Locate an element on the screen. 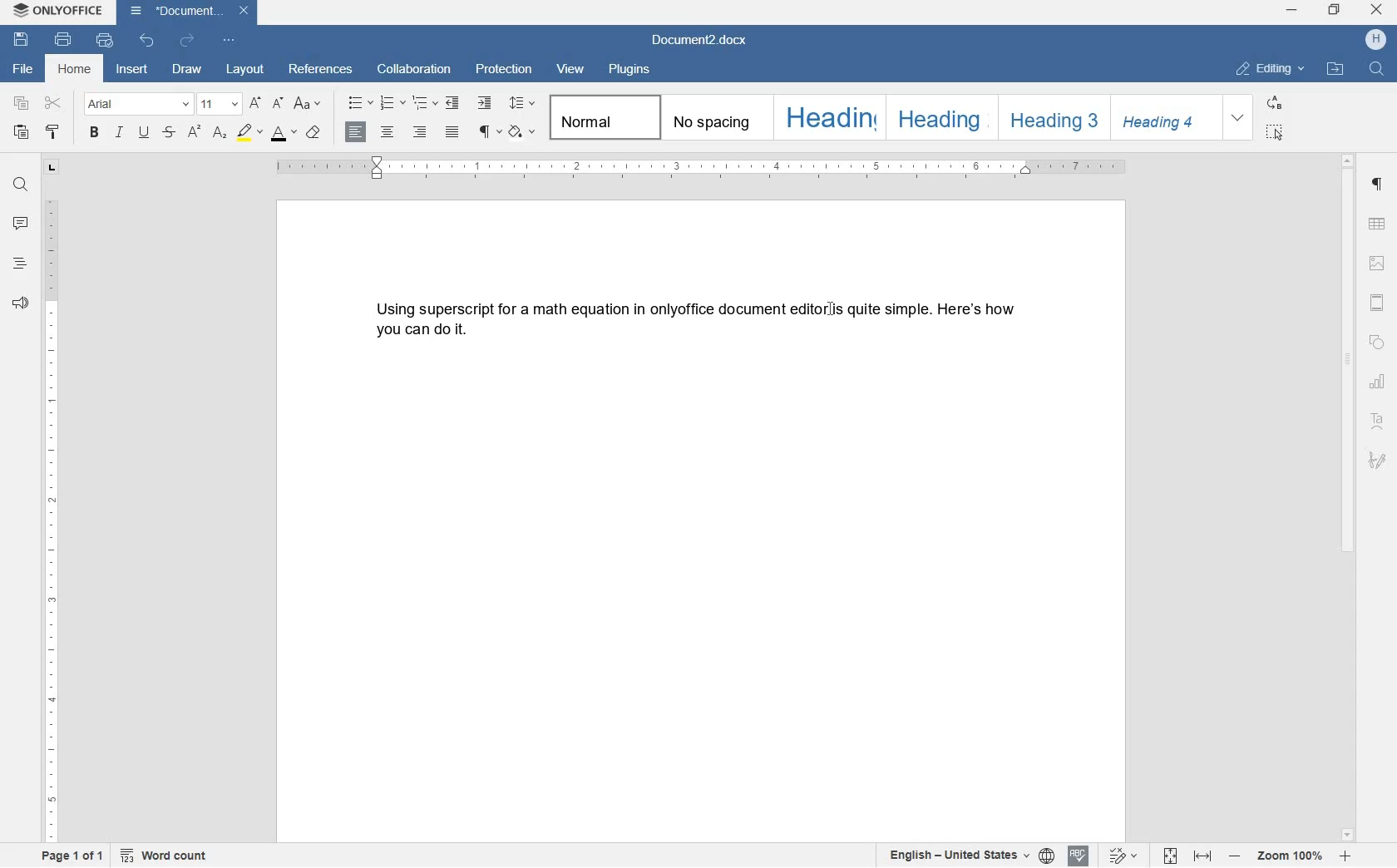 Image resolution: width=1397 pixels, height=868 pixels. font name is located at coordinates (138, 104).